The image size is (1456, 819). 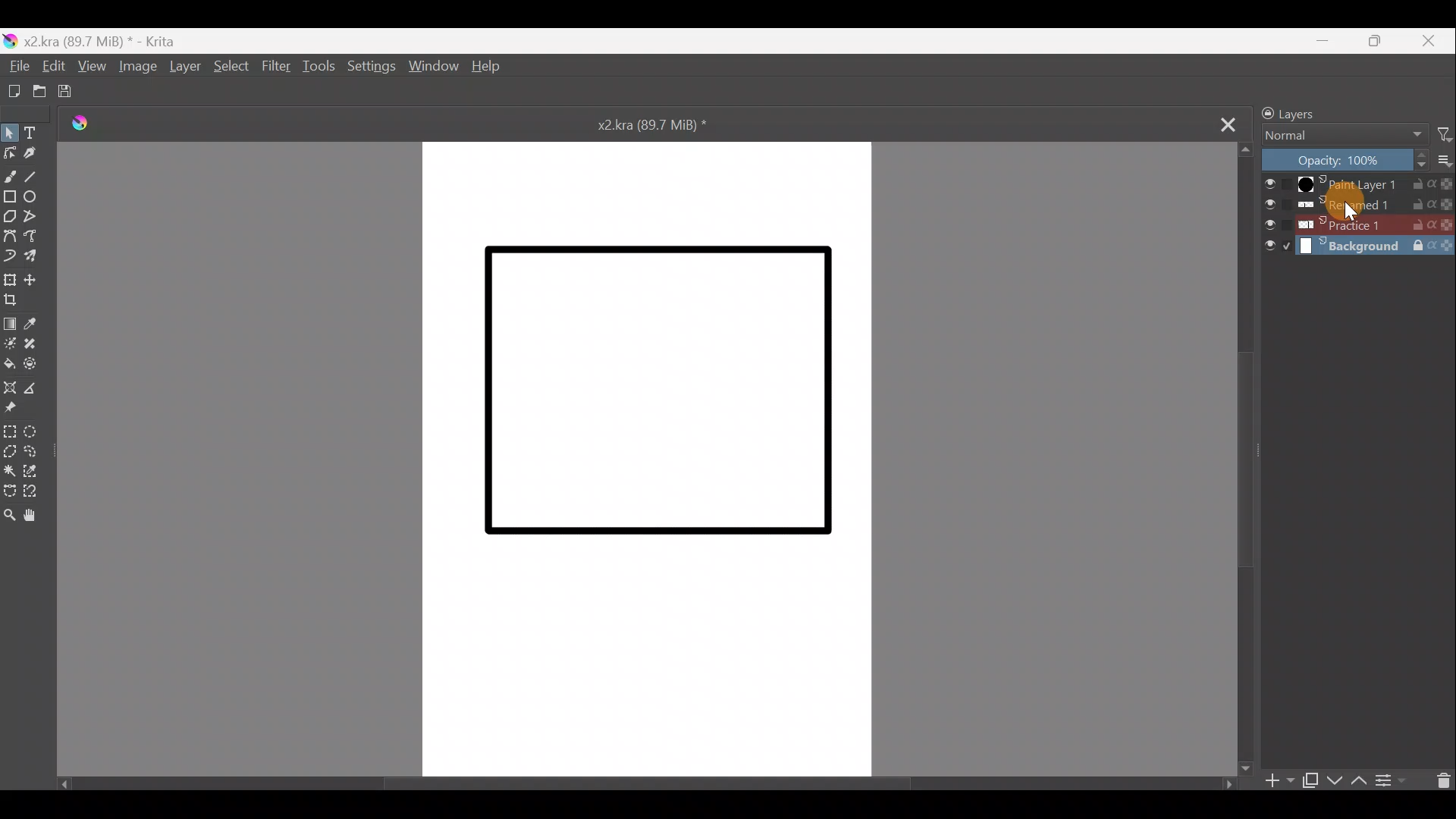 I want to click on Colourise mask tool, so click(x=11, y=343).